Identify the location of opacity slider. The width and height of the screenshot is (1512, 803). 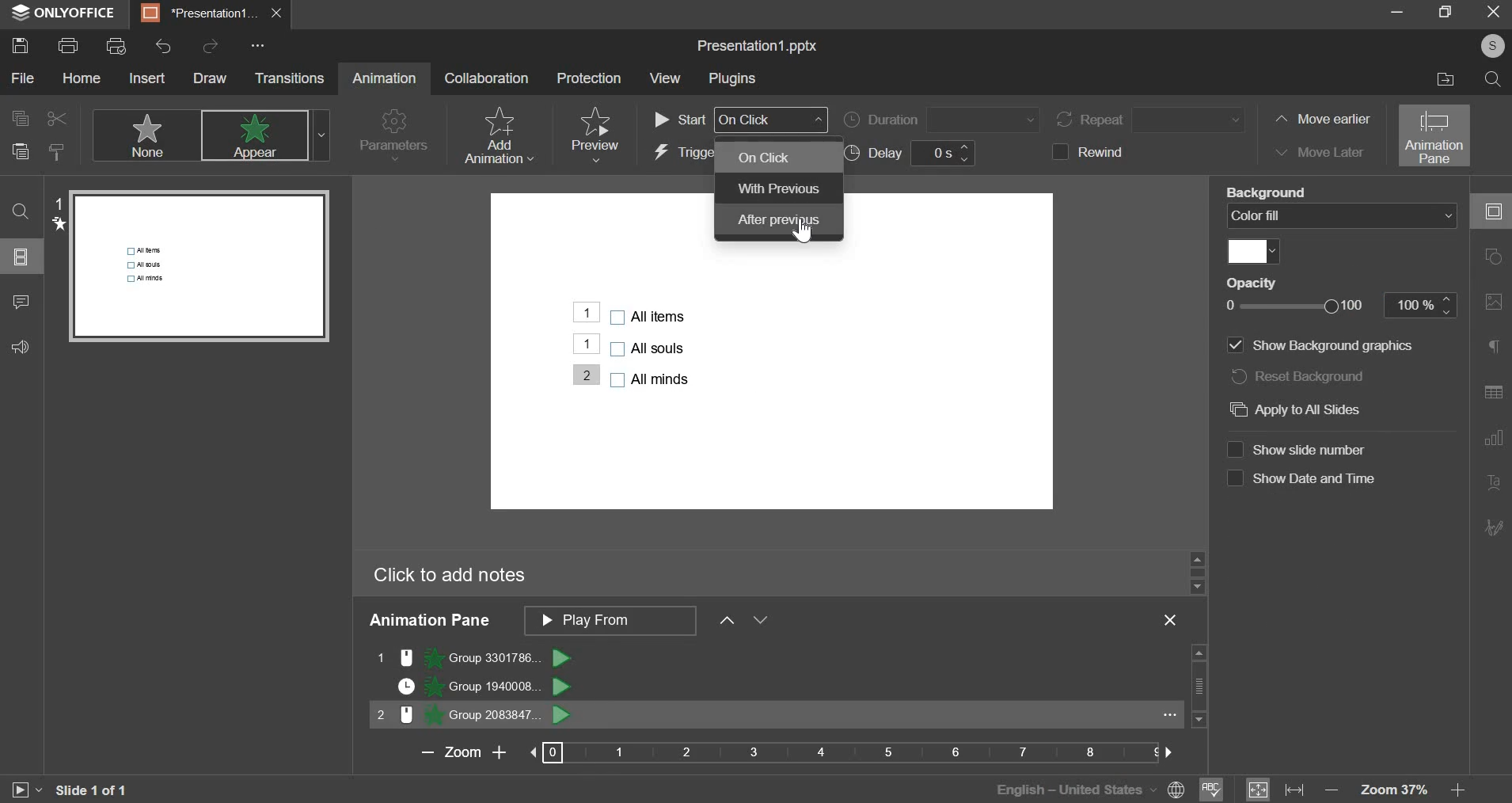
(1334, 305).